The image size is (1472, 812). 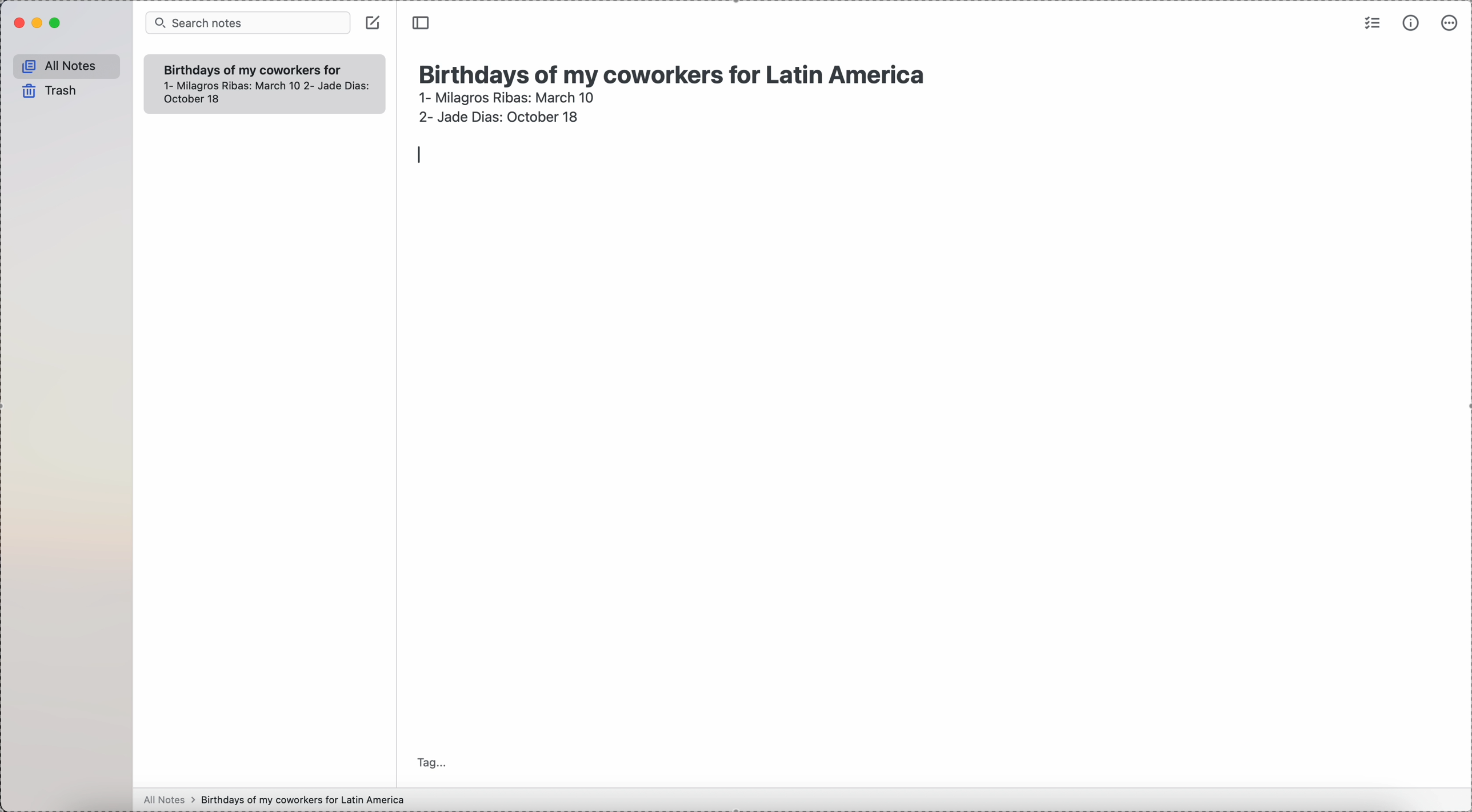 I want to click on check list, so click(x=1371, y=22).